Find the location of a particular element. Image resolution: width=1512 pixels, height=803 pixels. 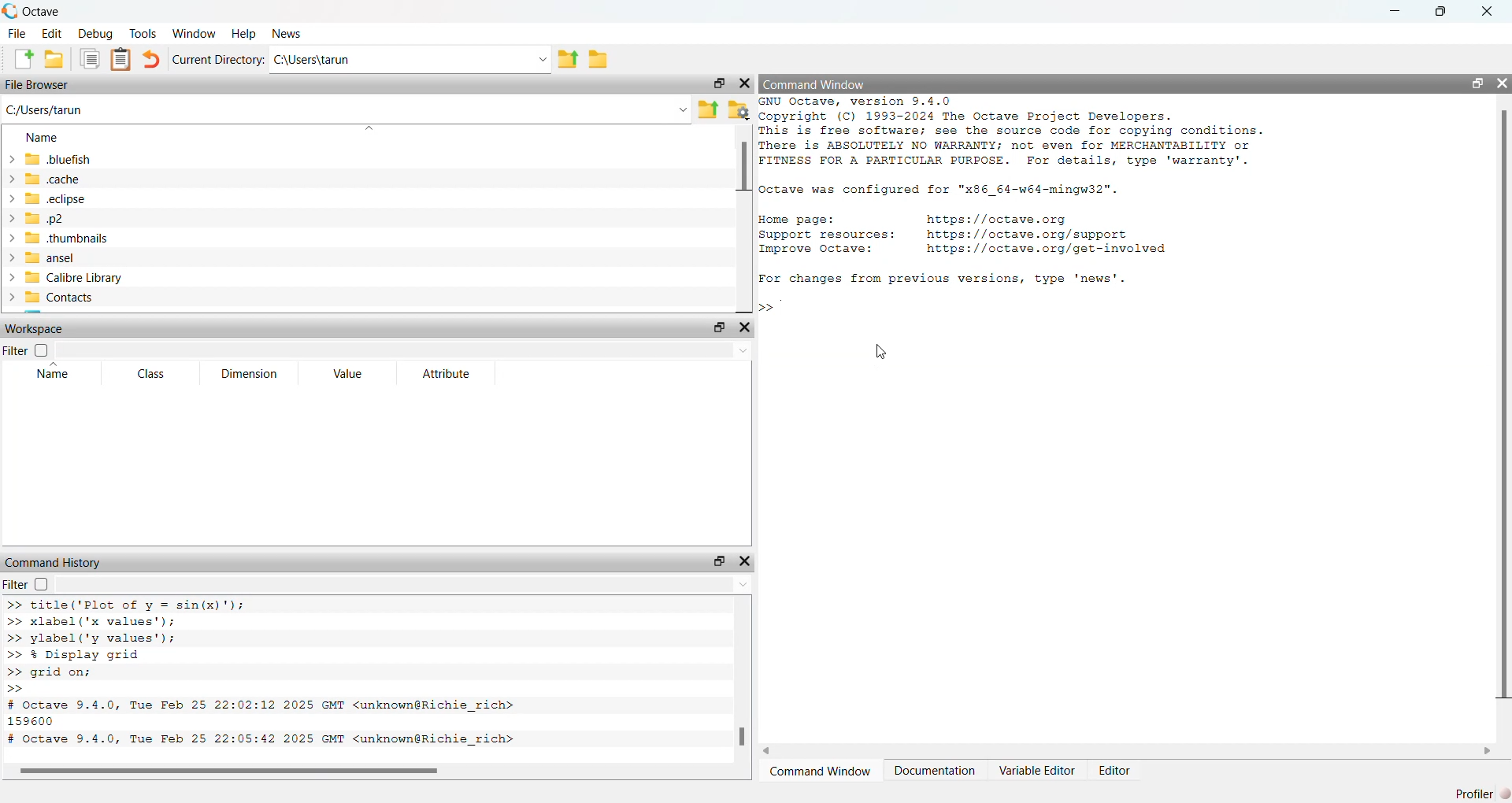

.cache is located at coordinates (51, 179).